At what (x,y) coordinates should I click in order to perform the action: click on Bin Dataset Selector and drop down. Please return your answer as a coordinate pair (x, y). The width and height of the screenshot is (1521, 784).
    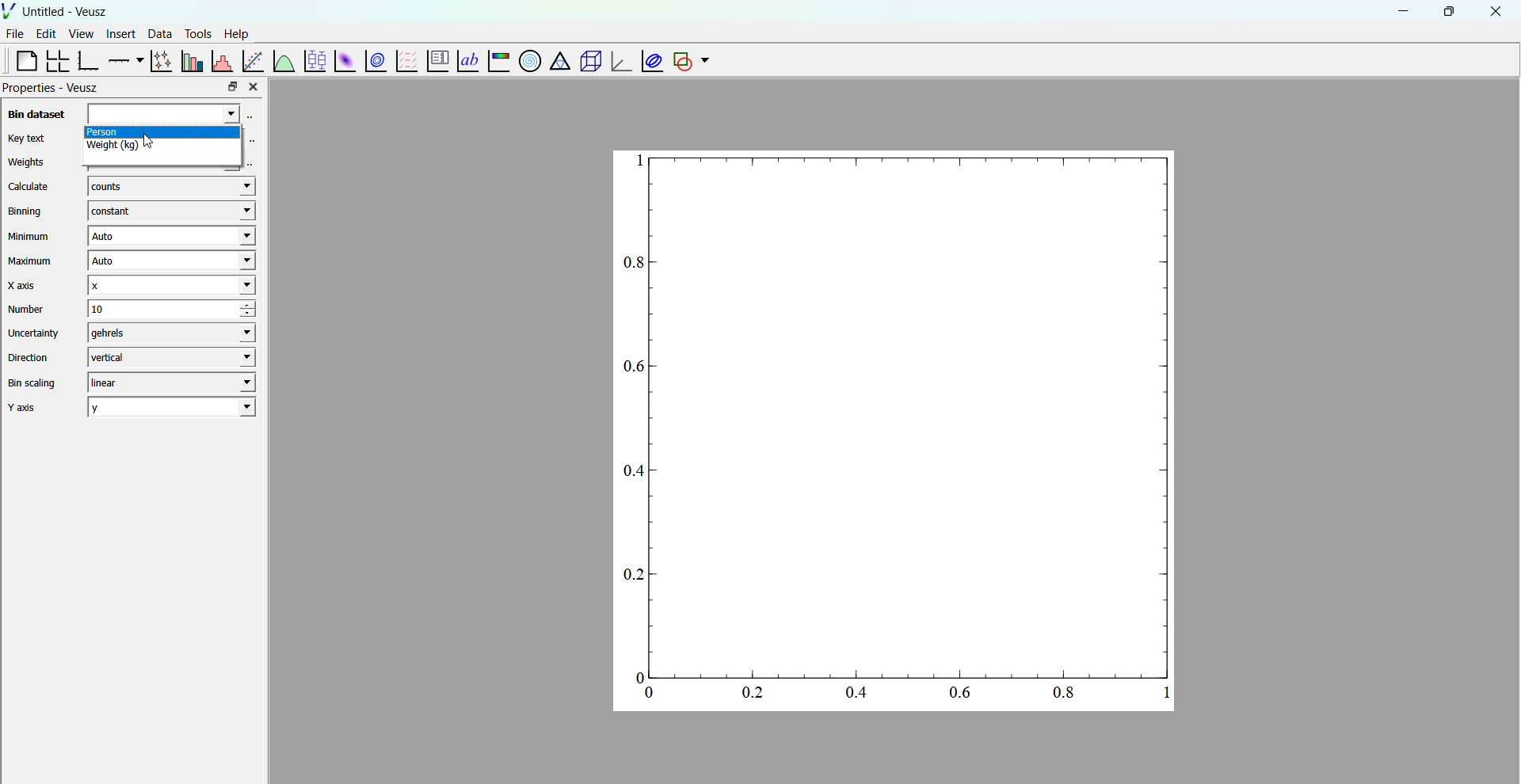
    Looking at the image, I should click on (172, 115).